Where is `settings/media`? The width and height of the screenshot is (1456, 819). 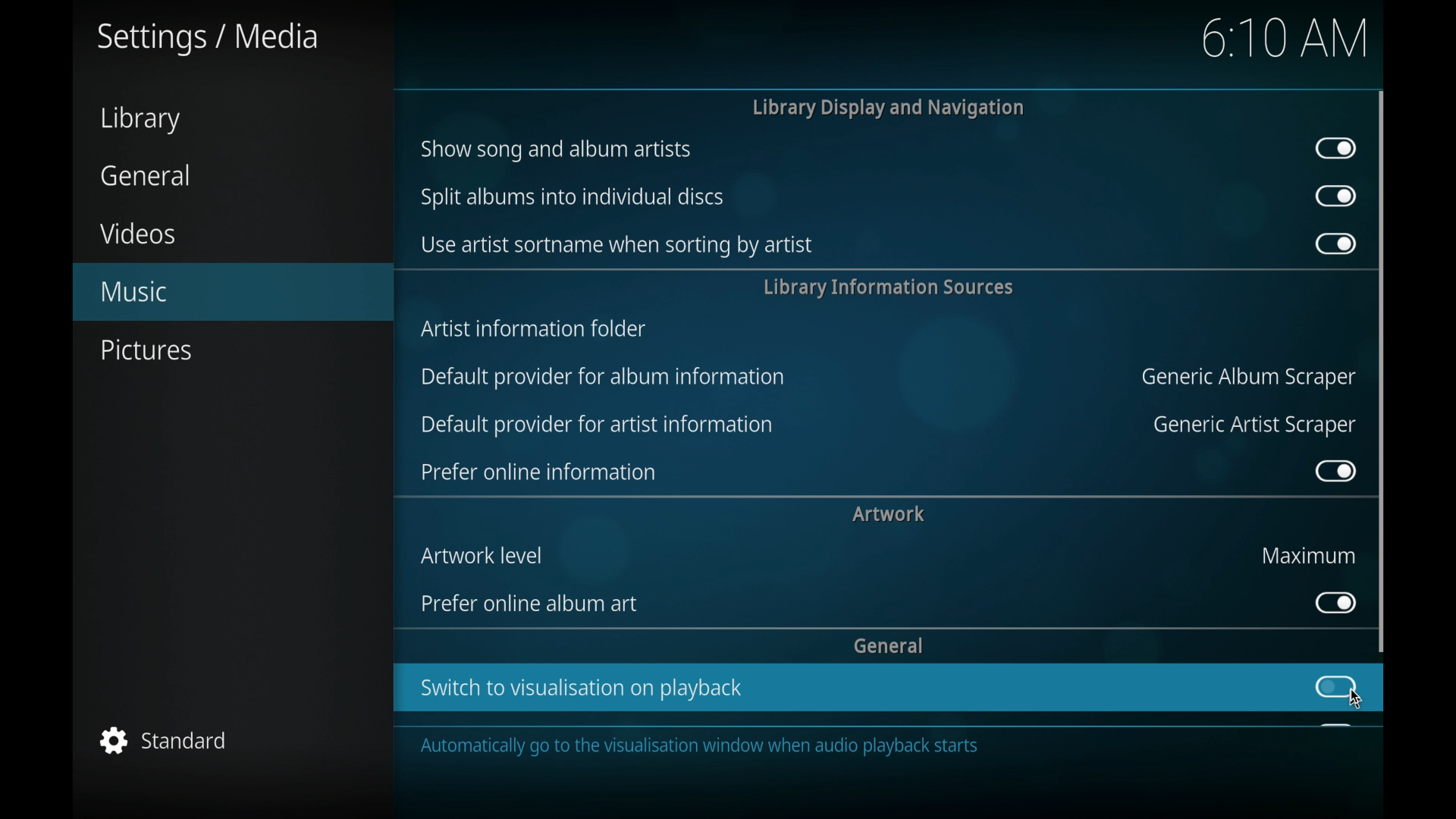 settings/media is located at coordinates (208, 39).